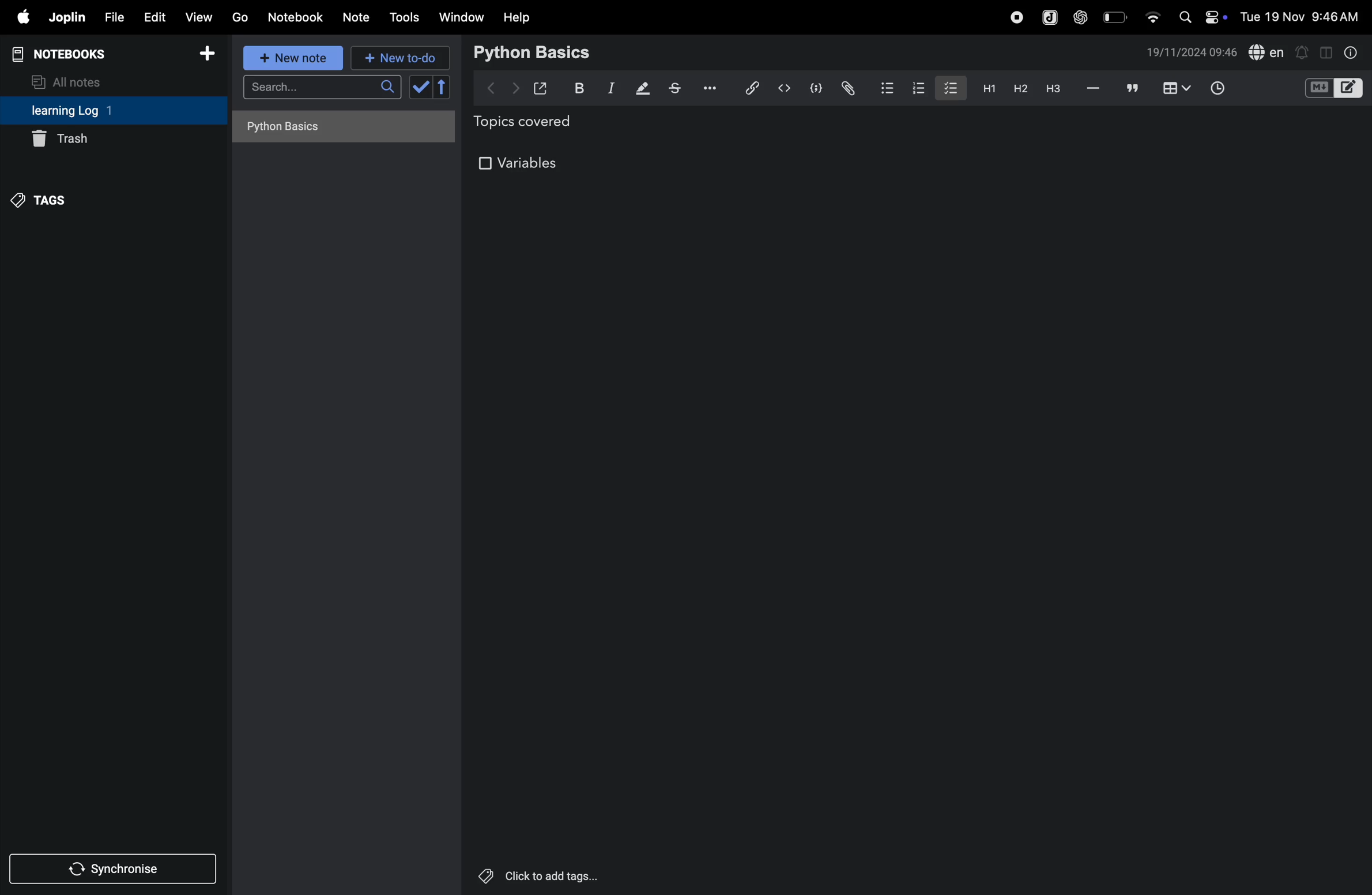 Image resolution: width=1372 pixels, height=895 pixels. Describe the element at coordinates (239, 17) in the screenshot. I see `go` at that location.